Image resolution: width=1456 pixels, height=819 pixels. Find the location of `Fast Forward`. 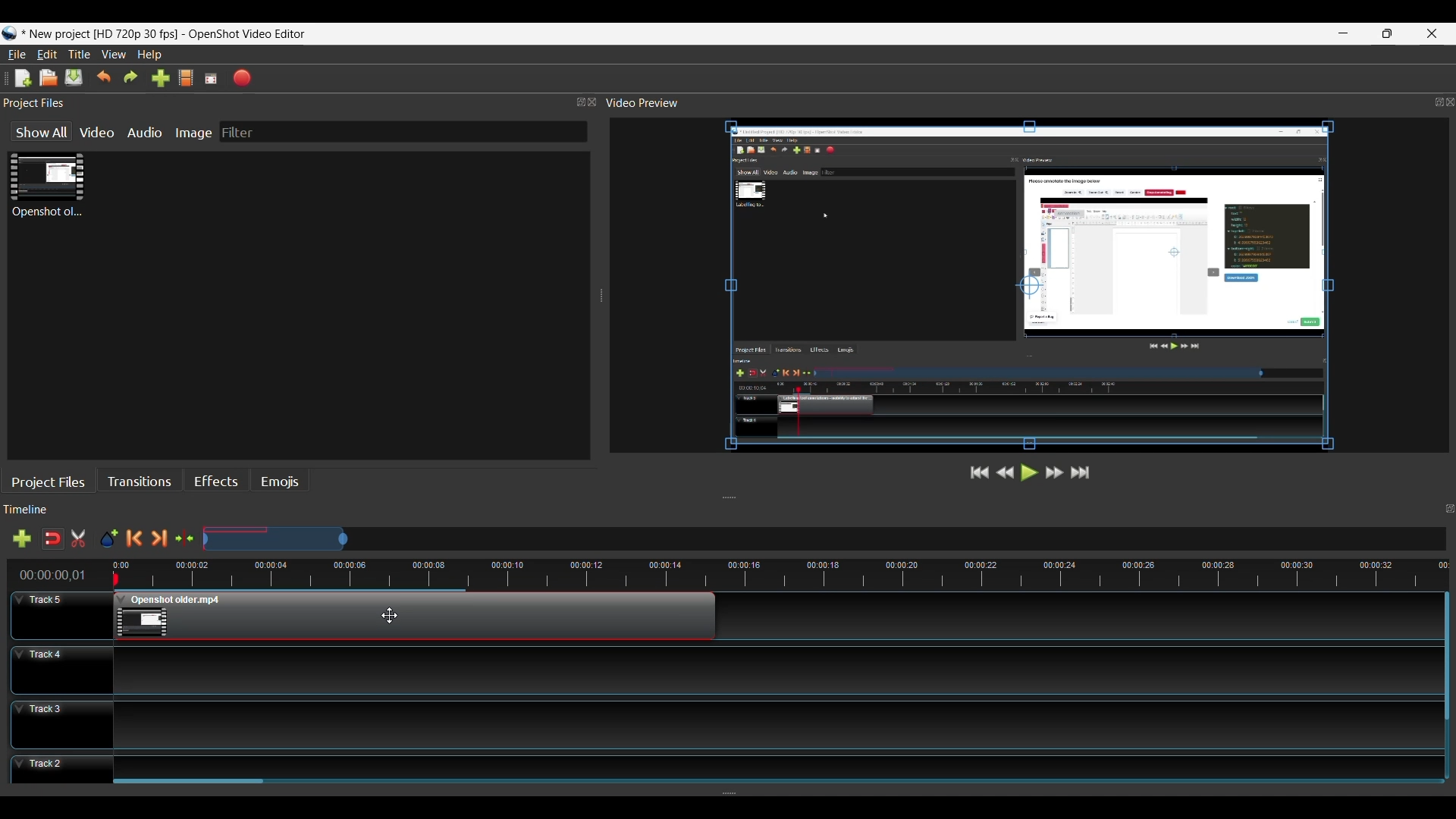

Fast Forward is located at coordinates (1052, 472).